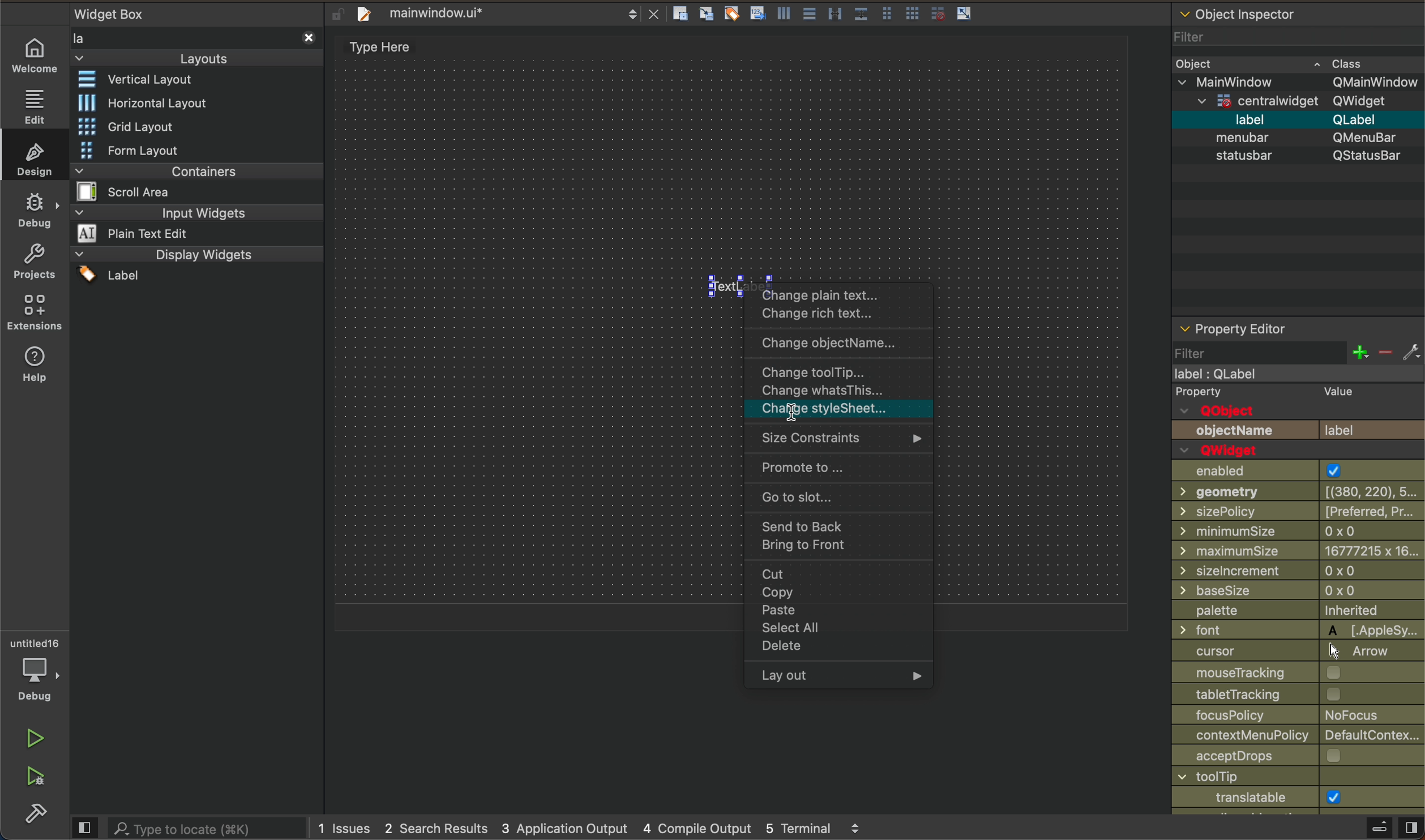 The height and width of the screenshot is (840, 1425). What do you see at coordinates (1295, 492) in the screenshot?
I see `geometry` at bounding box center [1295, 492].